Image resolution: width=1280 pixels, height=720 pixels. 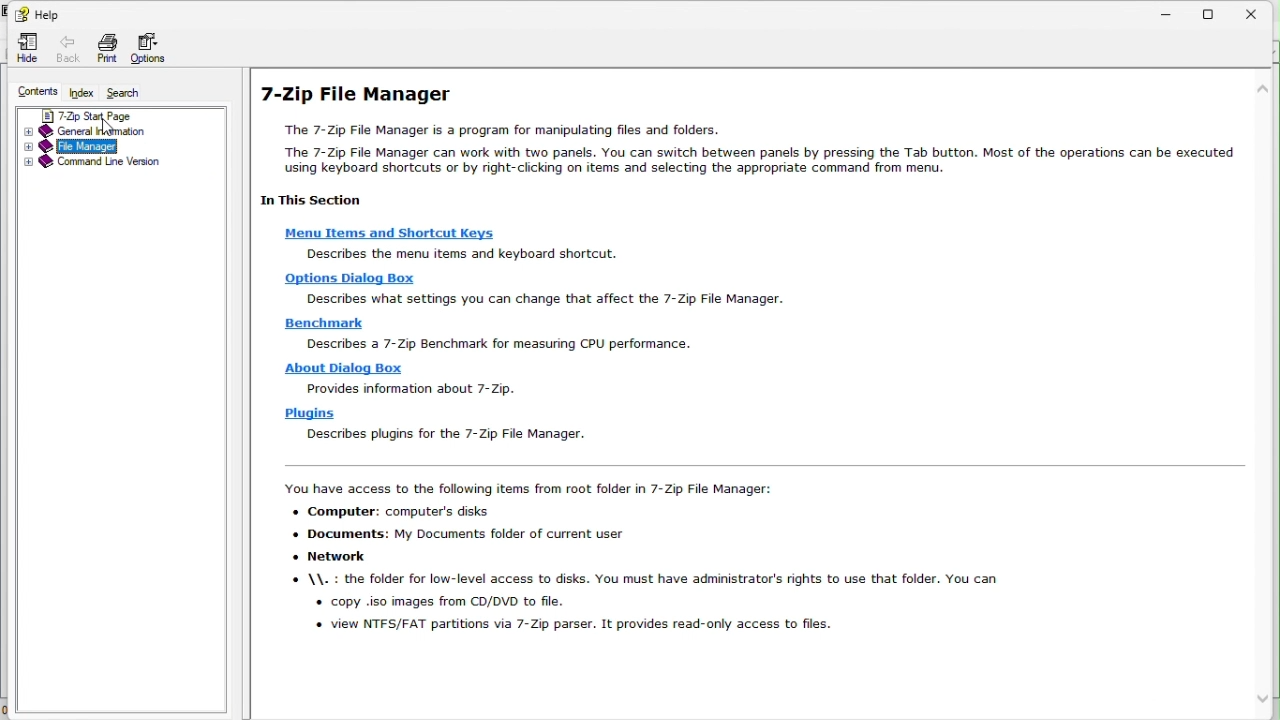 What do you see at coordinates (108, 128) in the screenshot?
I see `cursor` at bounding box center [108, 128].